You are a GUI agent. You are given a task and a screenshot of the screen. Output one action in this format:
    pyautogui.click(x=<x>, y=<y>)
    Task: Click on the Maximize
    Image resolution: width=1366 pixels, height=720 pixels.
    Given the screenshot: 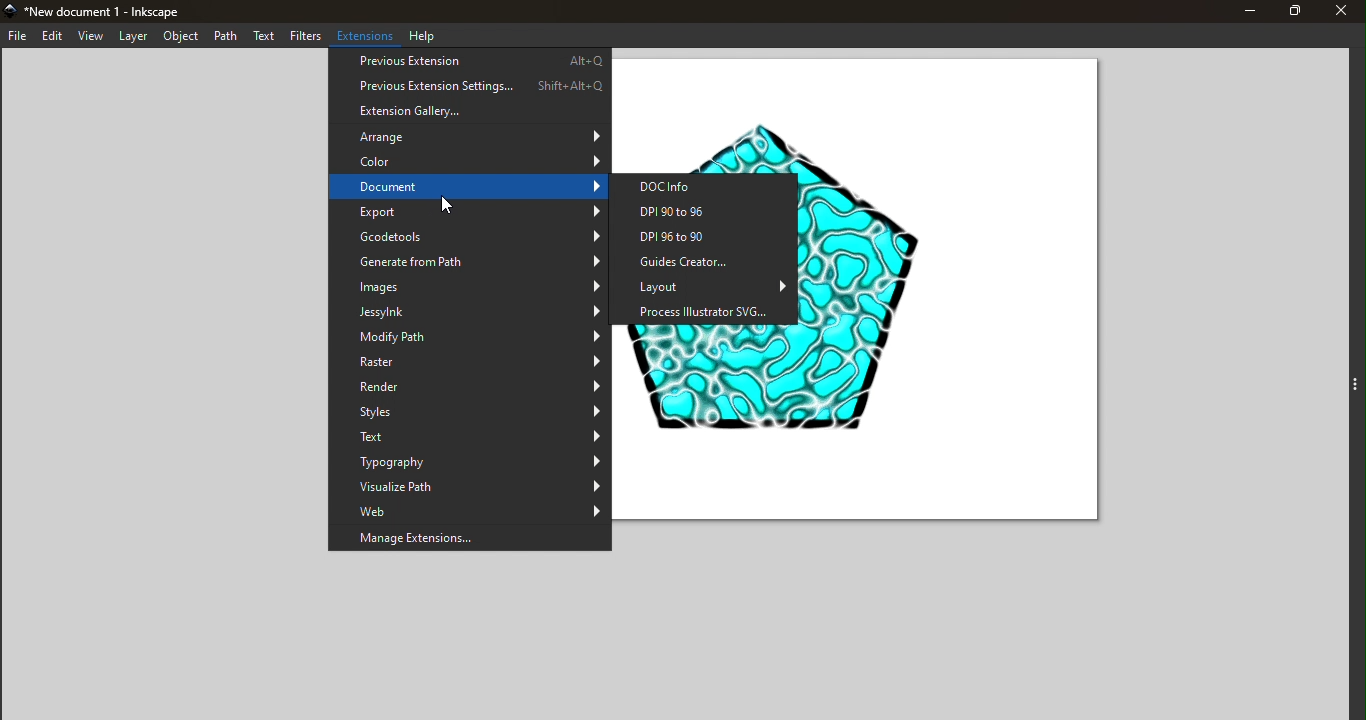 What is the action you would take?
    pyautogui.click(x=1286, y=11)
    